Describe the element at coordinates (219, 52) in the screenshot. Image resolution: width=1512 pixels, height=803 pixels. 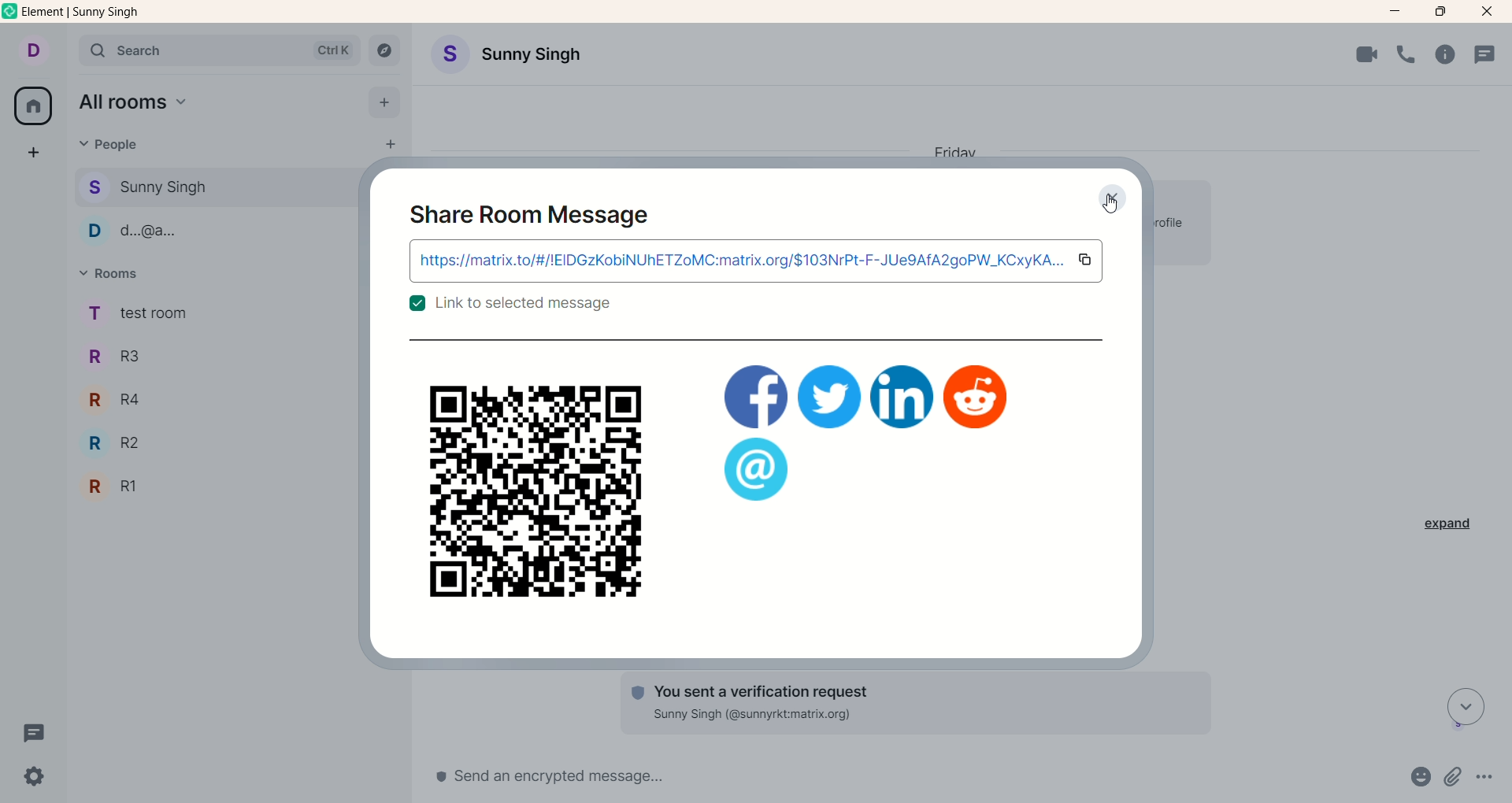
I see `search` at that location.